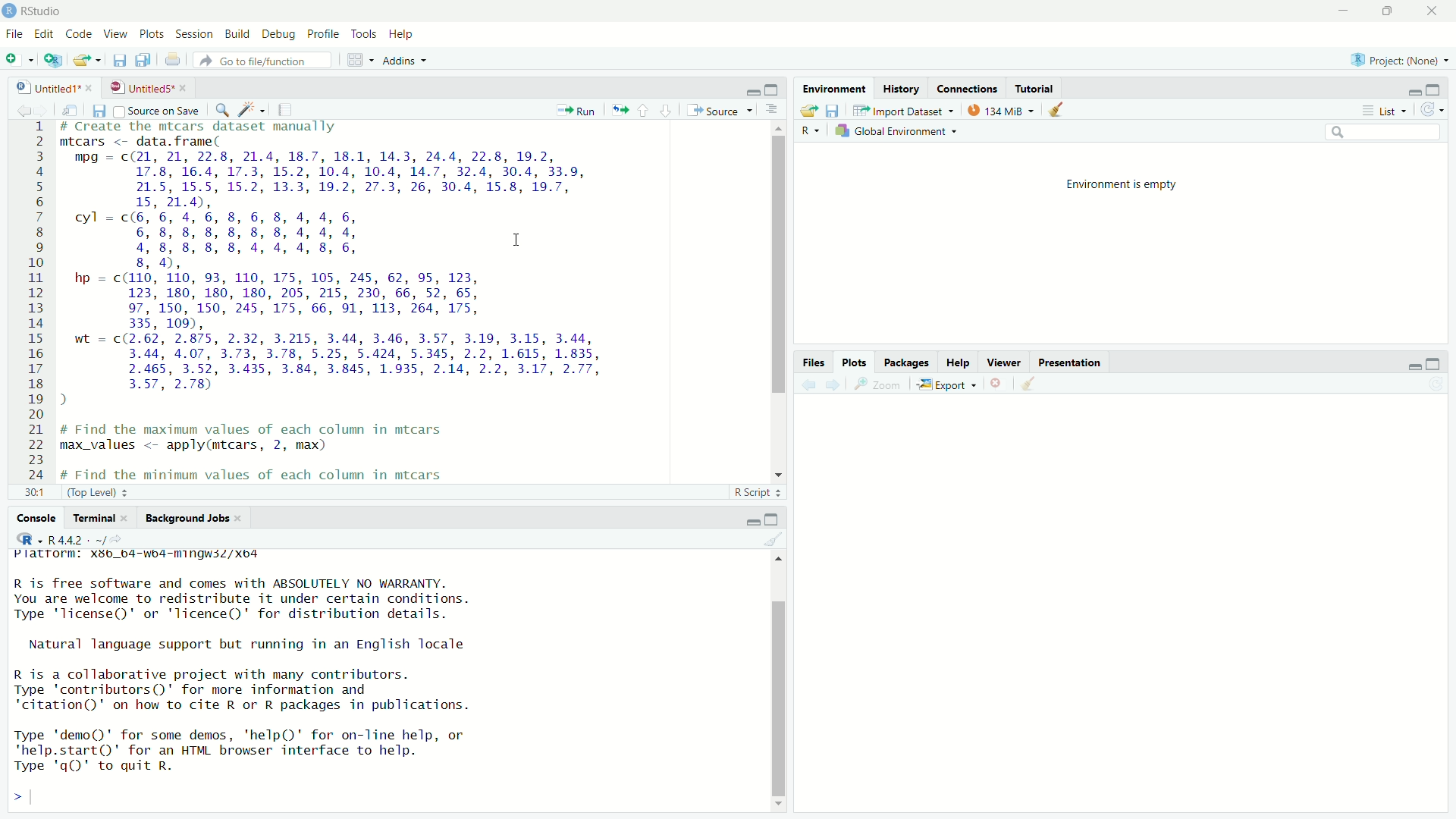 The image size is (1456, 819). I want to click on add script, so click(54, 61).